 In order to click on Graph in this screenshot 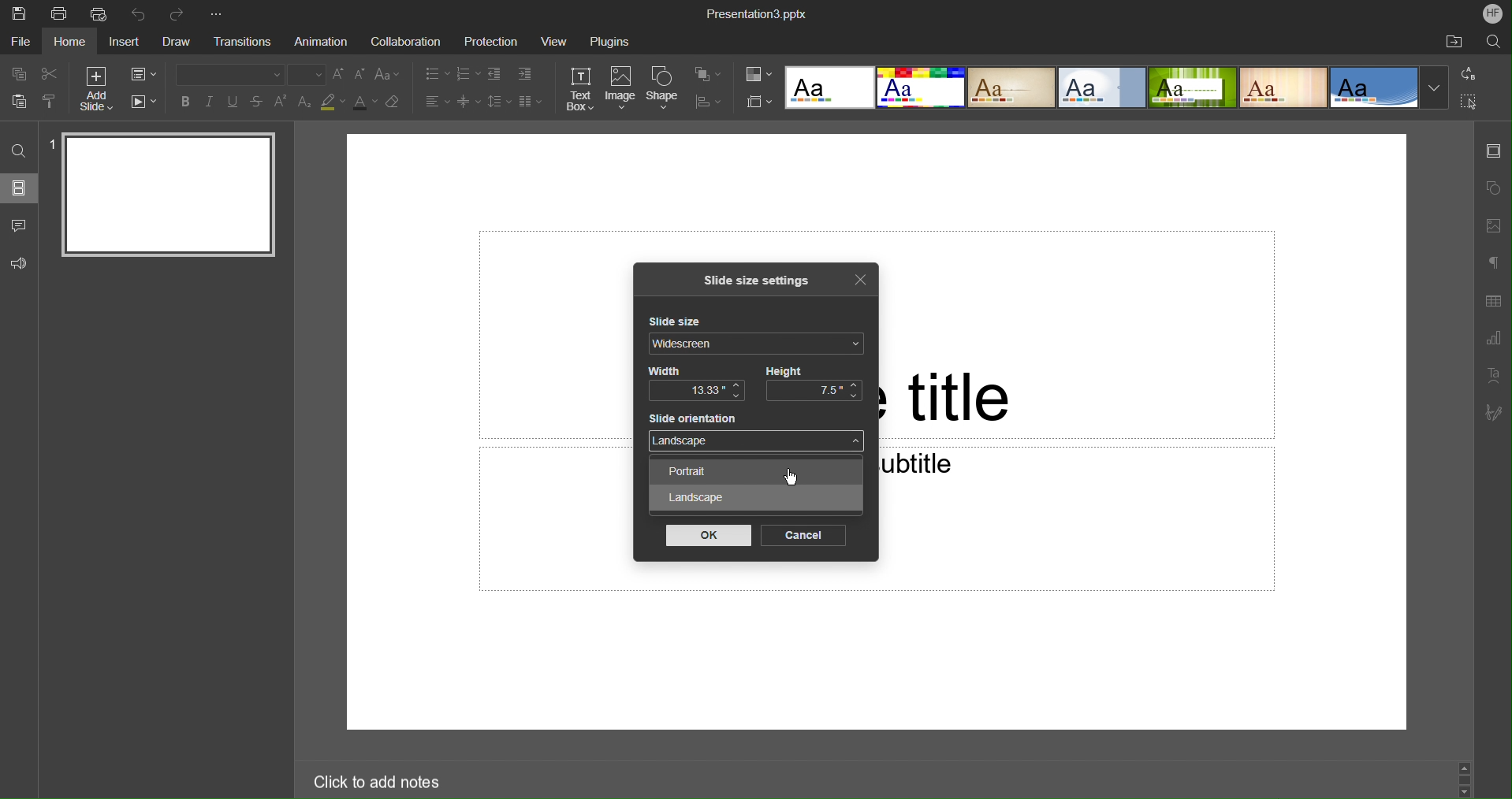, I will do `click(1494, 339)`.